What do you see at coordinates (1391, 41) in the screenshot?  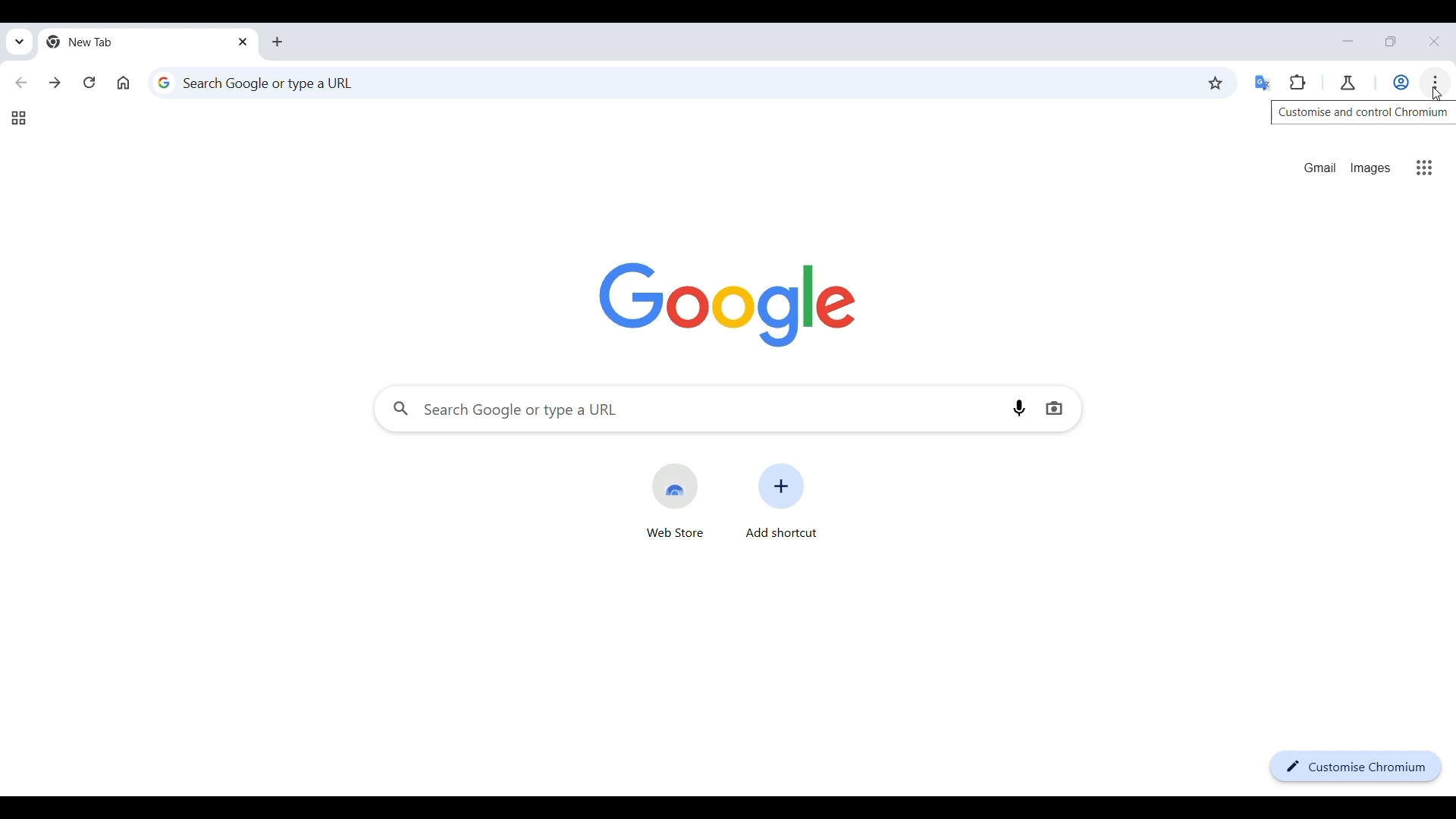 I see `Show interface in a smaller tab` at bounding box center [1391, 41].